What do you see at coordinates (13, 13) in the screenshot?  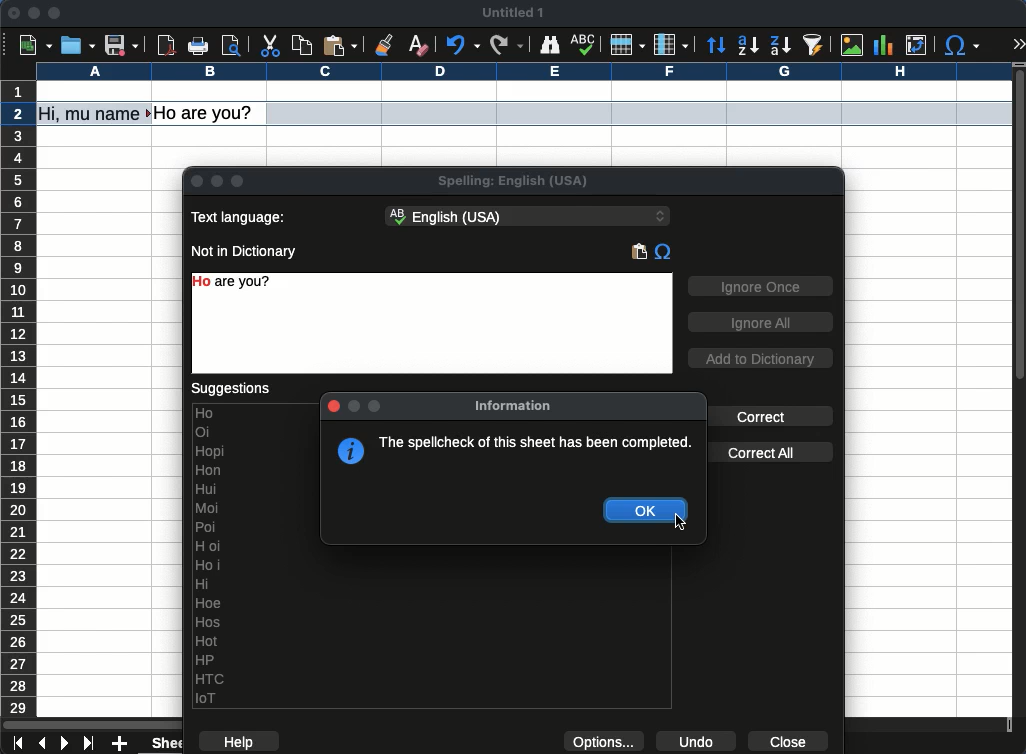 I see `close` at bounding box center [13, 13].